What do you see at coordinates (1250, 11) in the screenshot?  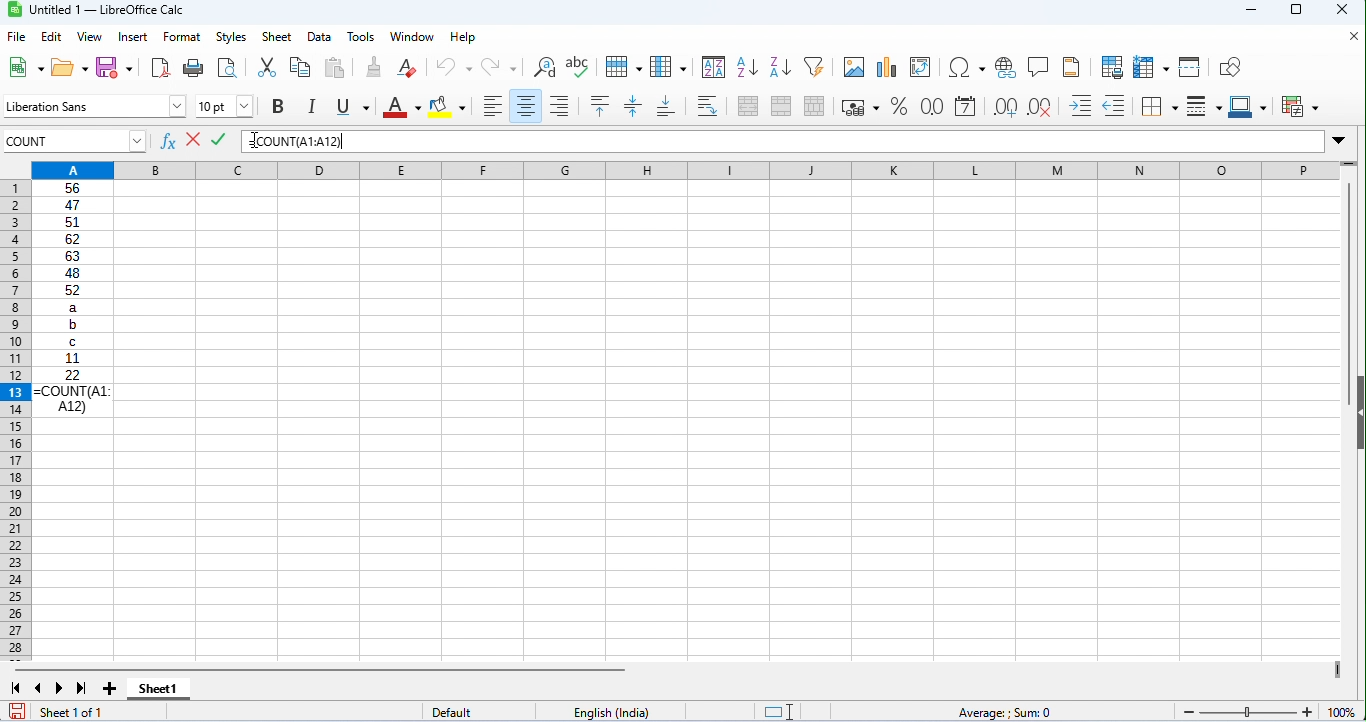 I see `minimize` at bounding box center [1250, 11].